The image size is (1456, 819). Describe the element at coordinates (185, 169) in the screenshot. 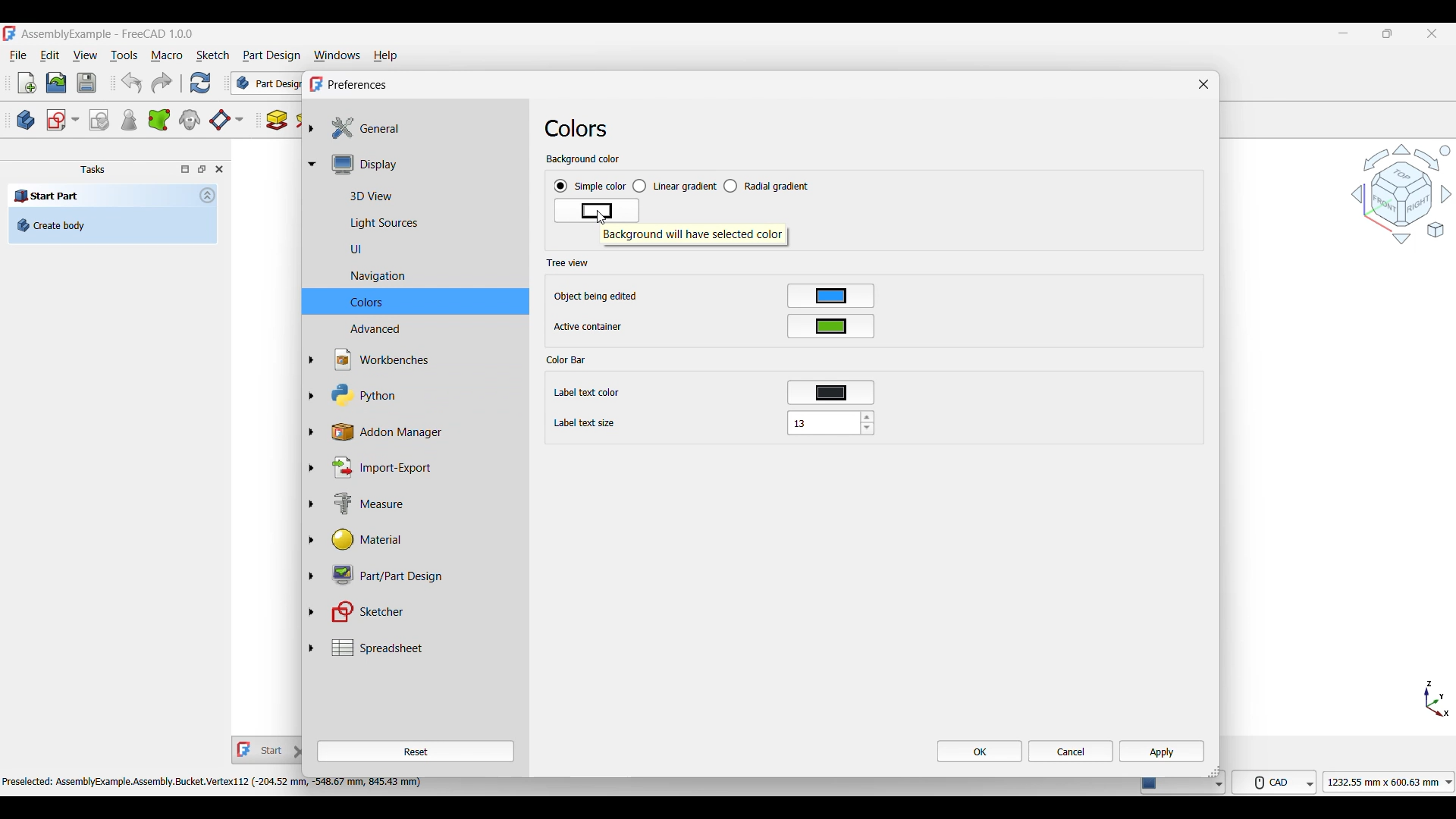

I see `Toggle overlay` at that location.